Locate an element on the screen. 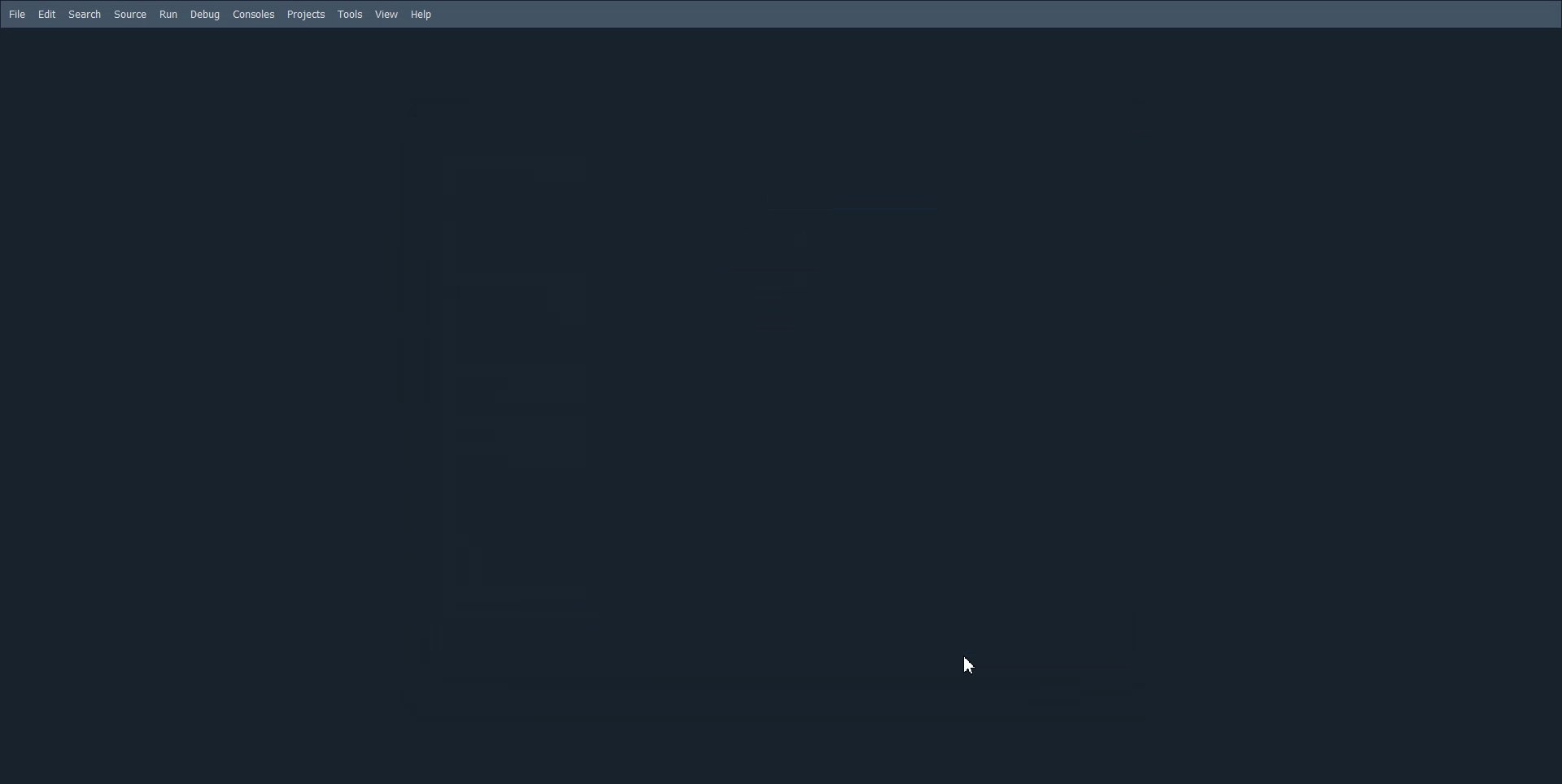 This screenshot has width=1562, height=784. Search is located at coordinates (85, 15).